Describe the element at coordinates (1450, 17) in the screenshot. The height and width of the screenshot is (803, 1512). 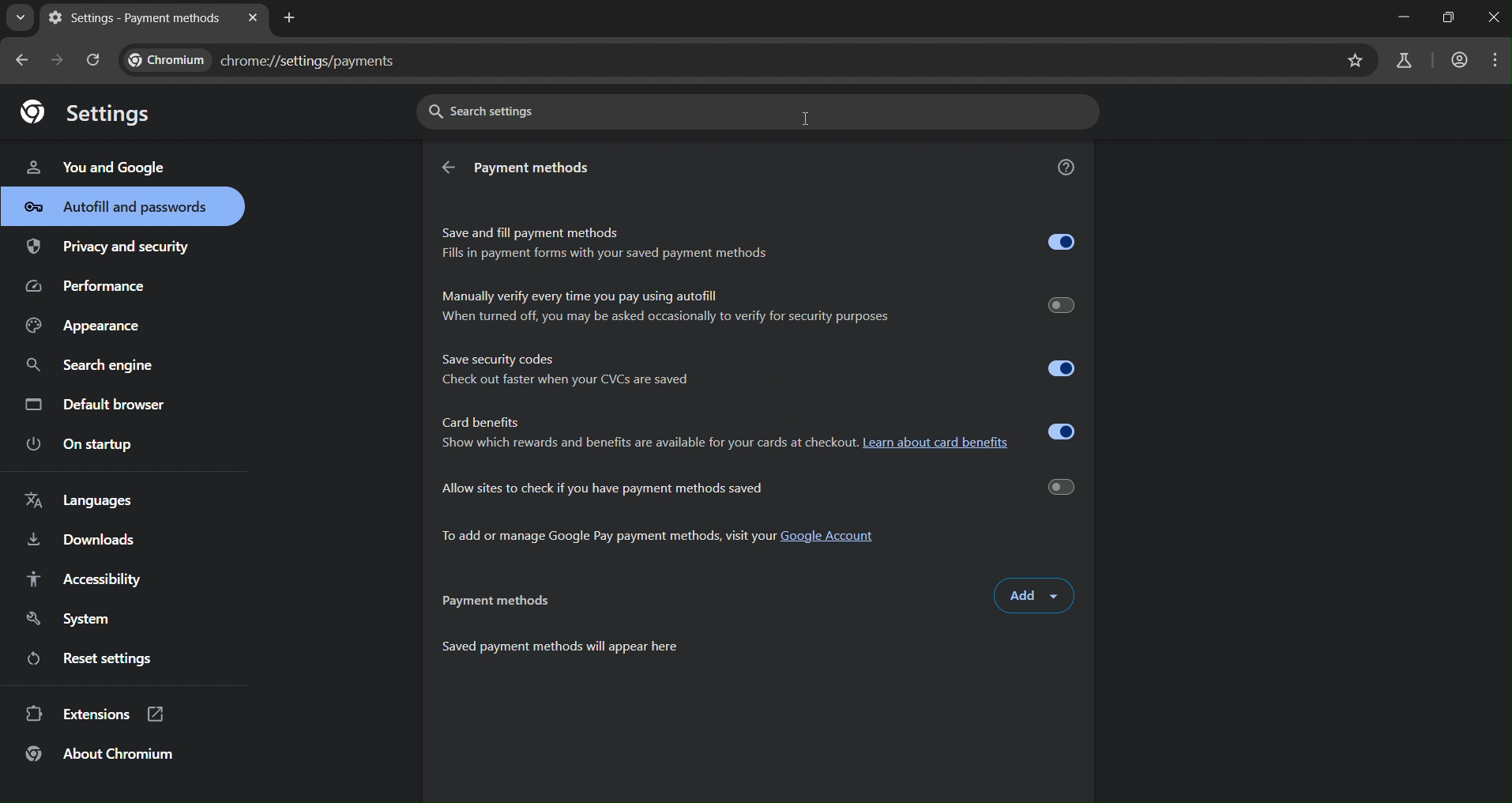
I see `restore down` at that location.